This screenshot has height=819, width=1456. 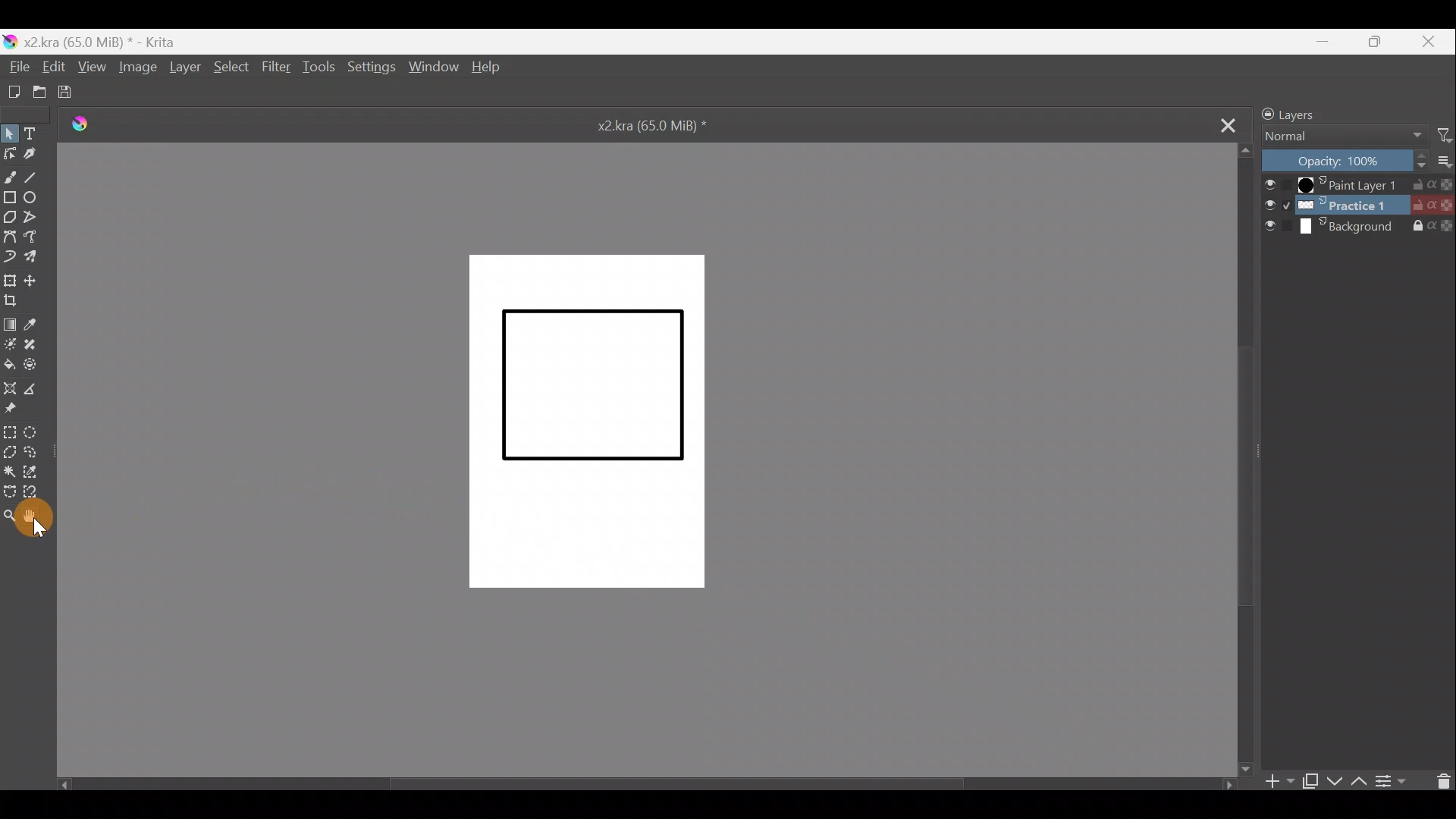 I want to click on Layer, so click(x=184, y=71).